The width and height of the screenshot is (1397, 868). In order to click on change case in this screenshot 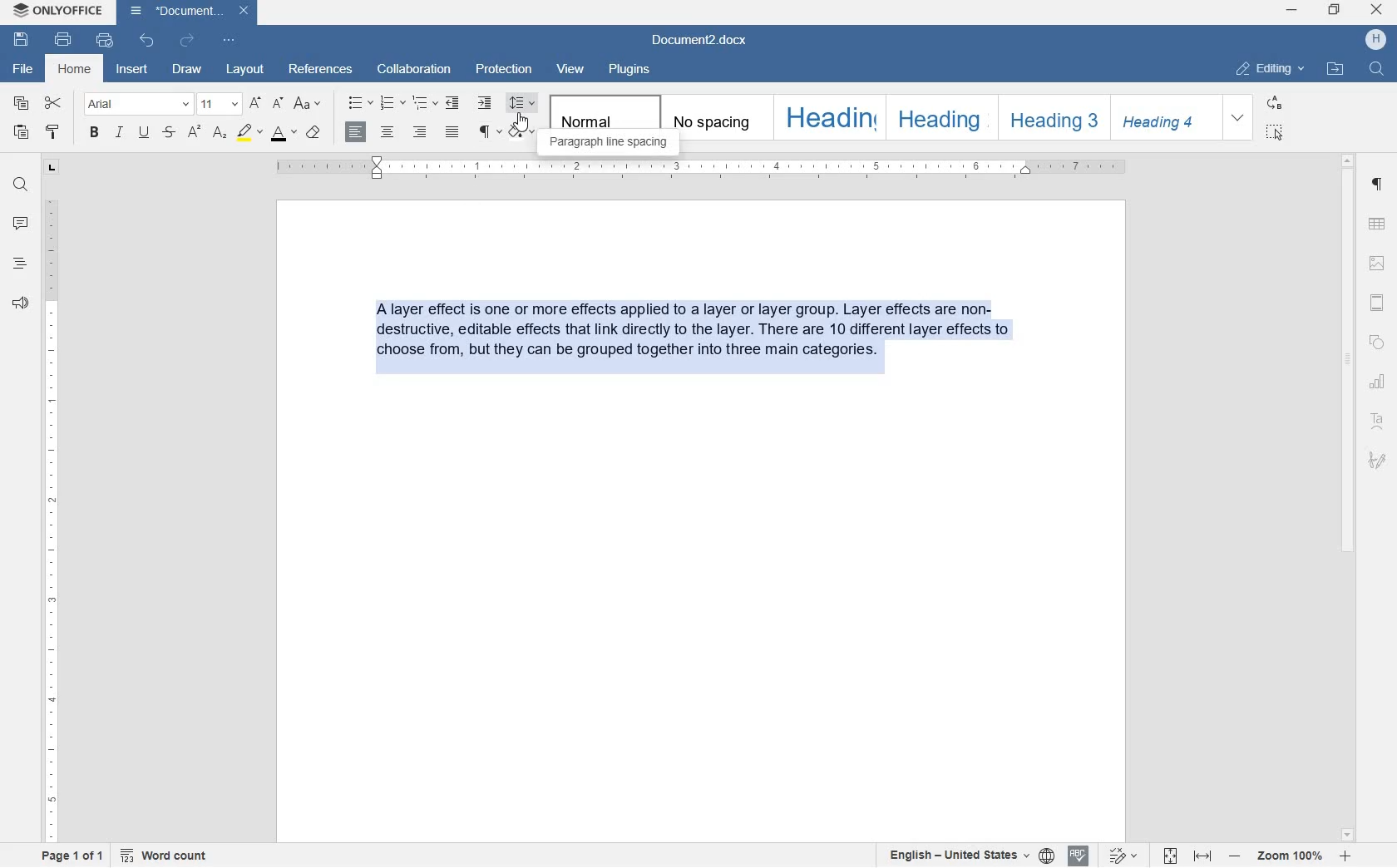, I will do `click(309, 104)`.